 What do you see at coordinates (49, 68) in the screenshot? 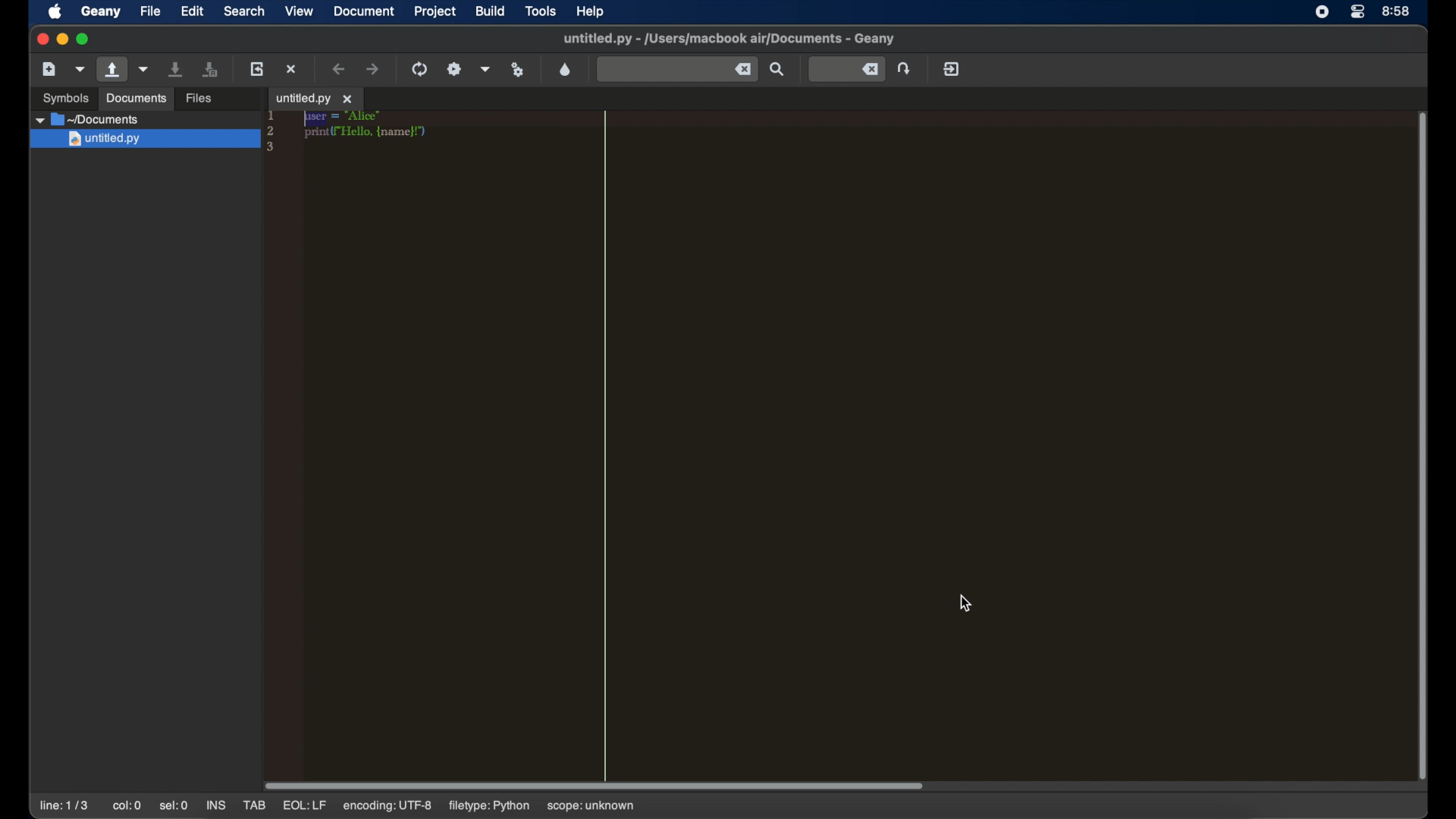
I see `create a new file` at bounding box center [49, 68].